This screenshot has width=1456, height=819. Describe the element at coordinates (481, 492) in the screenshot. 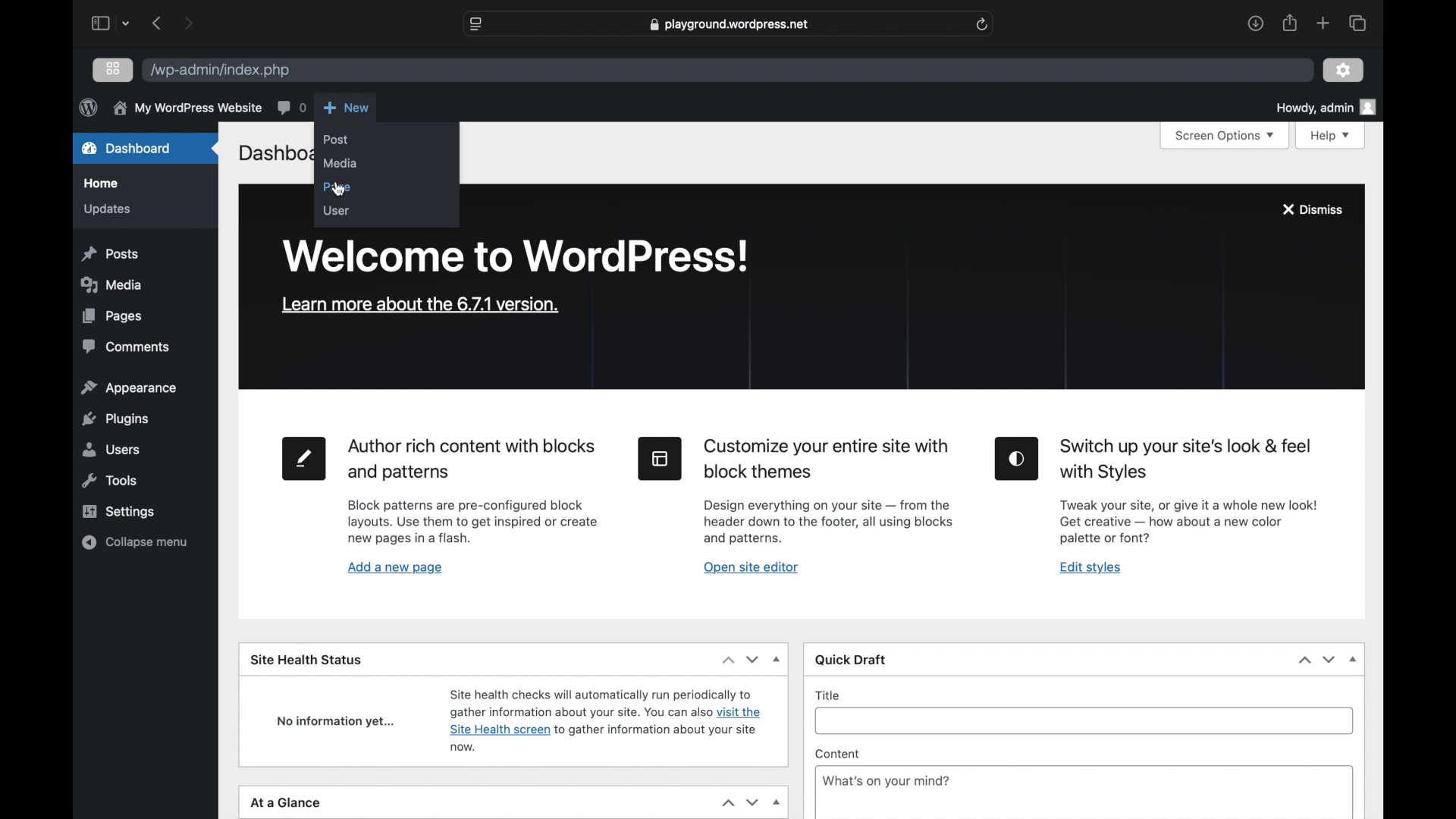

I see `Author rich content with blocks
and patterns

Block patterns are pre-configured block
layouts. Use them to get inspired or create
new pages in a flash.` at that location.